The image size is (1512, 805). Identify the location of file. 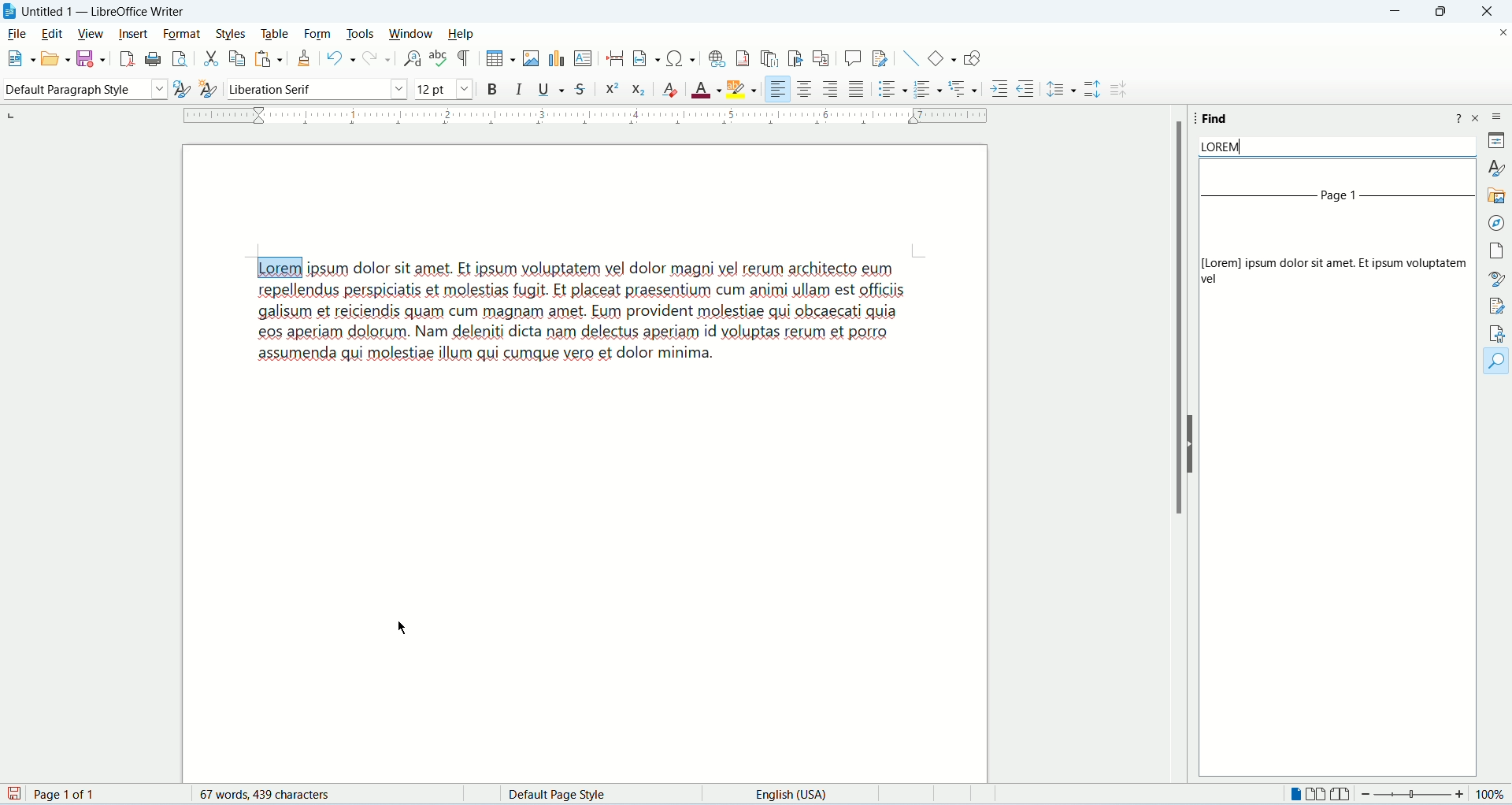
(17, 34).